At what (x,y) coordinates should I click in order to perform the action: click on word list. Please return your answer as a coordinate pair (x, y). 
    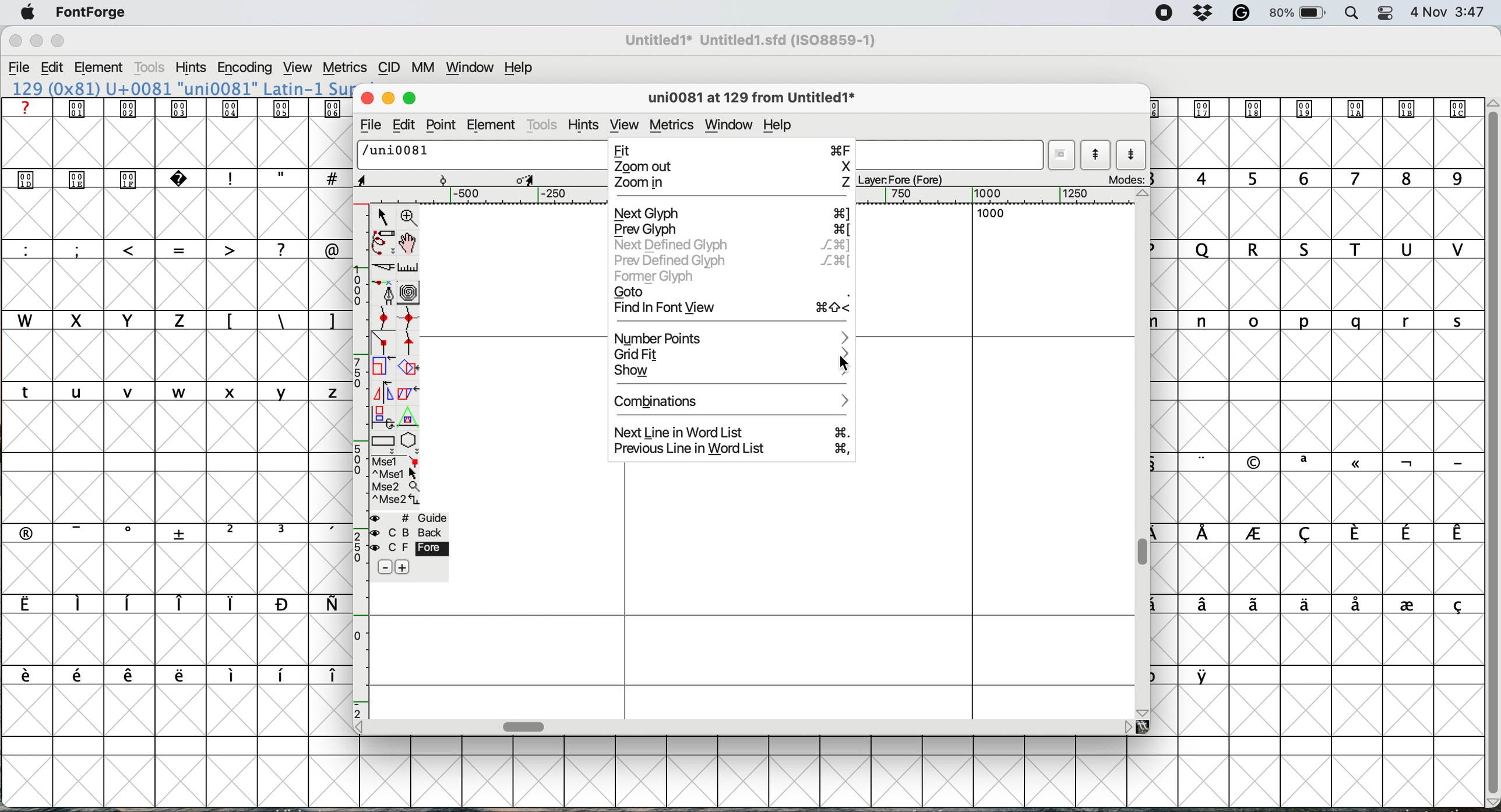
    Looking at the image, I should click on (1064, 156).